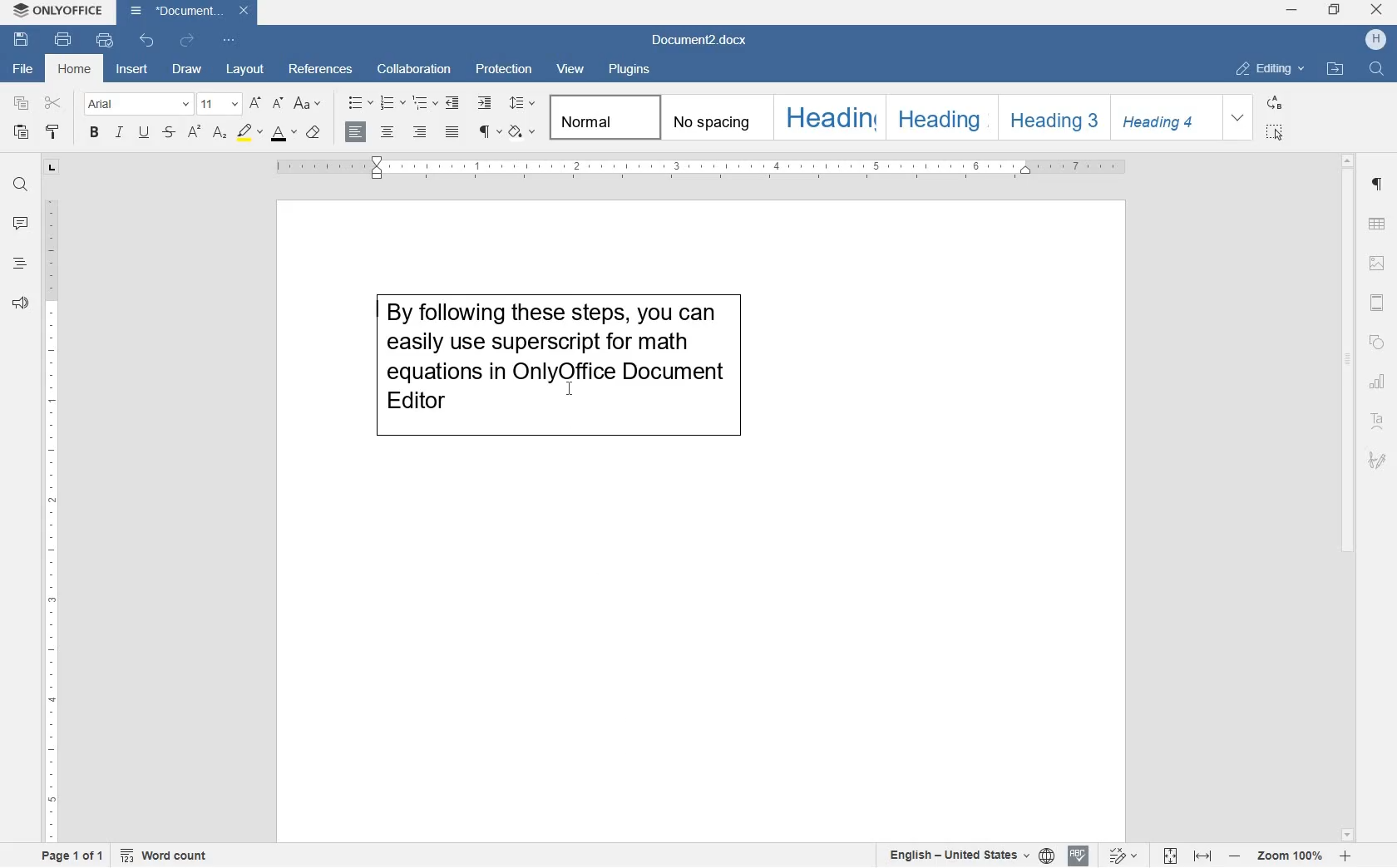  What do you see at coordinates (704, 170) in the screenshot?
I see `ruler` at bounding box center [704, 170].